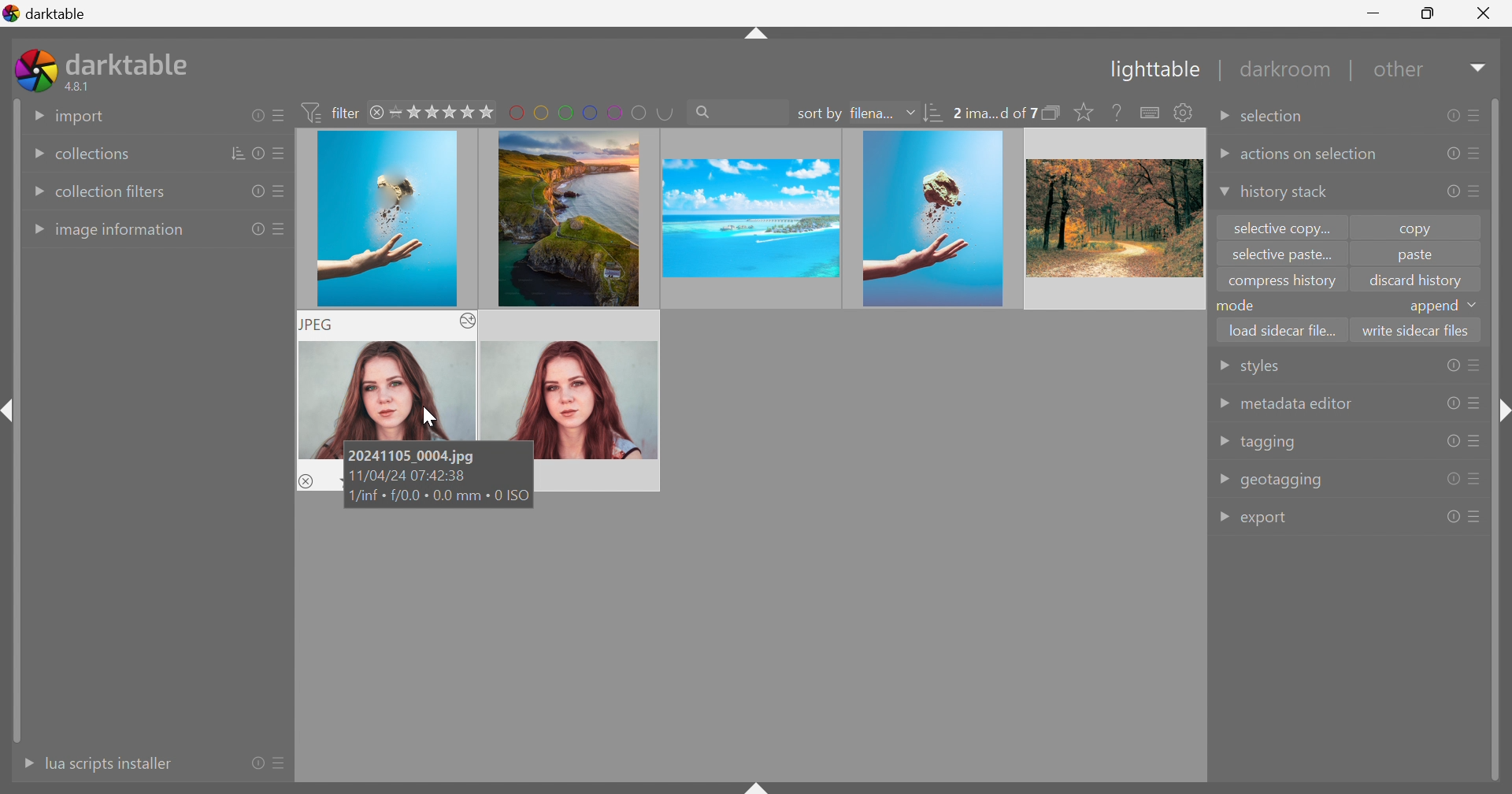 Image resolution: width=1512 pixels, height=794 pixels. What do you see at coordinates (35, 114) in the screenshot?
I see `Drop Down` at bounding box center [35, 114].